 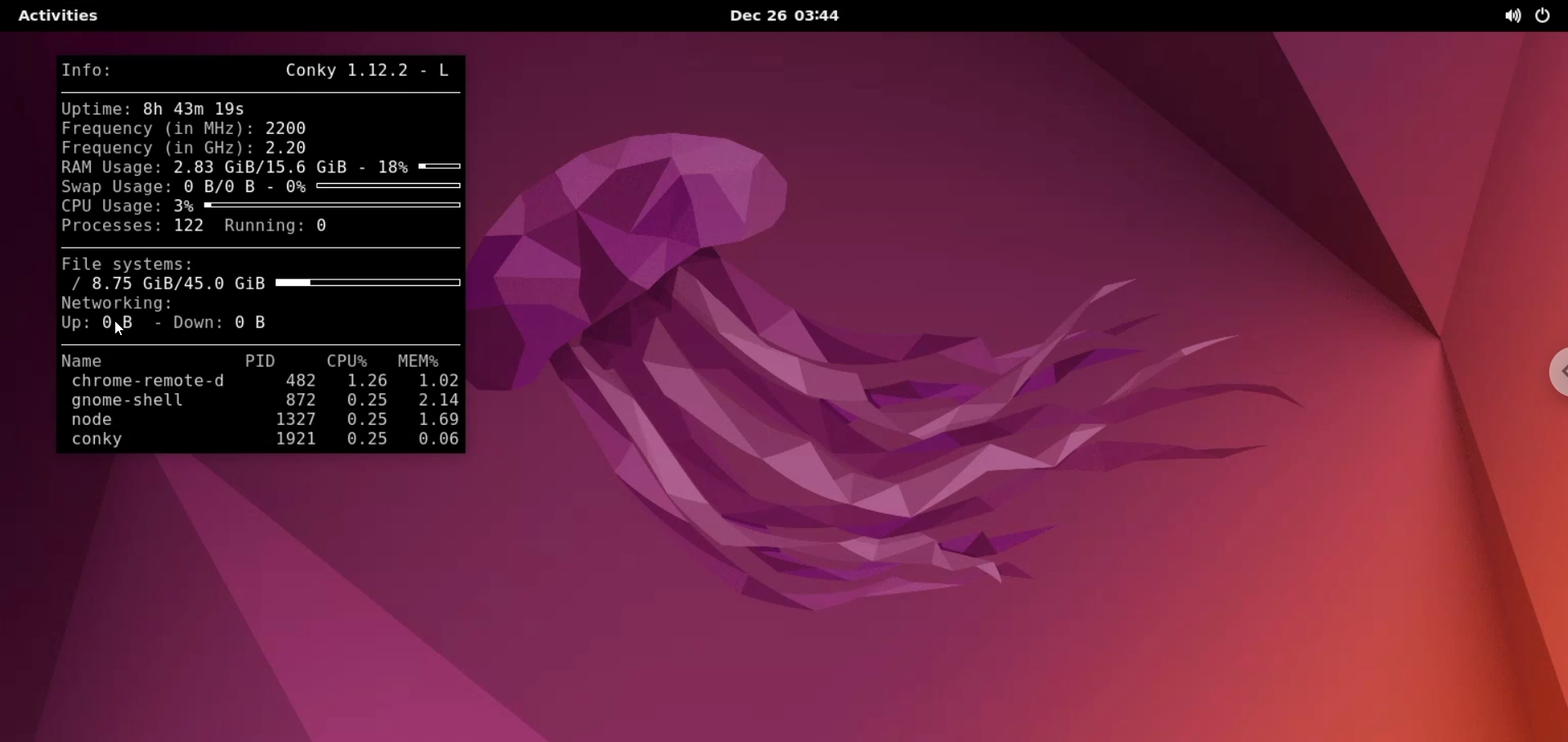 I want to click on up:, so click(x=76, y=327).